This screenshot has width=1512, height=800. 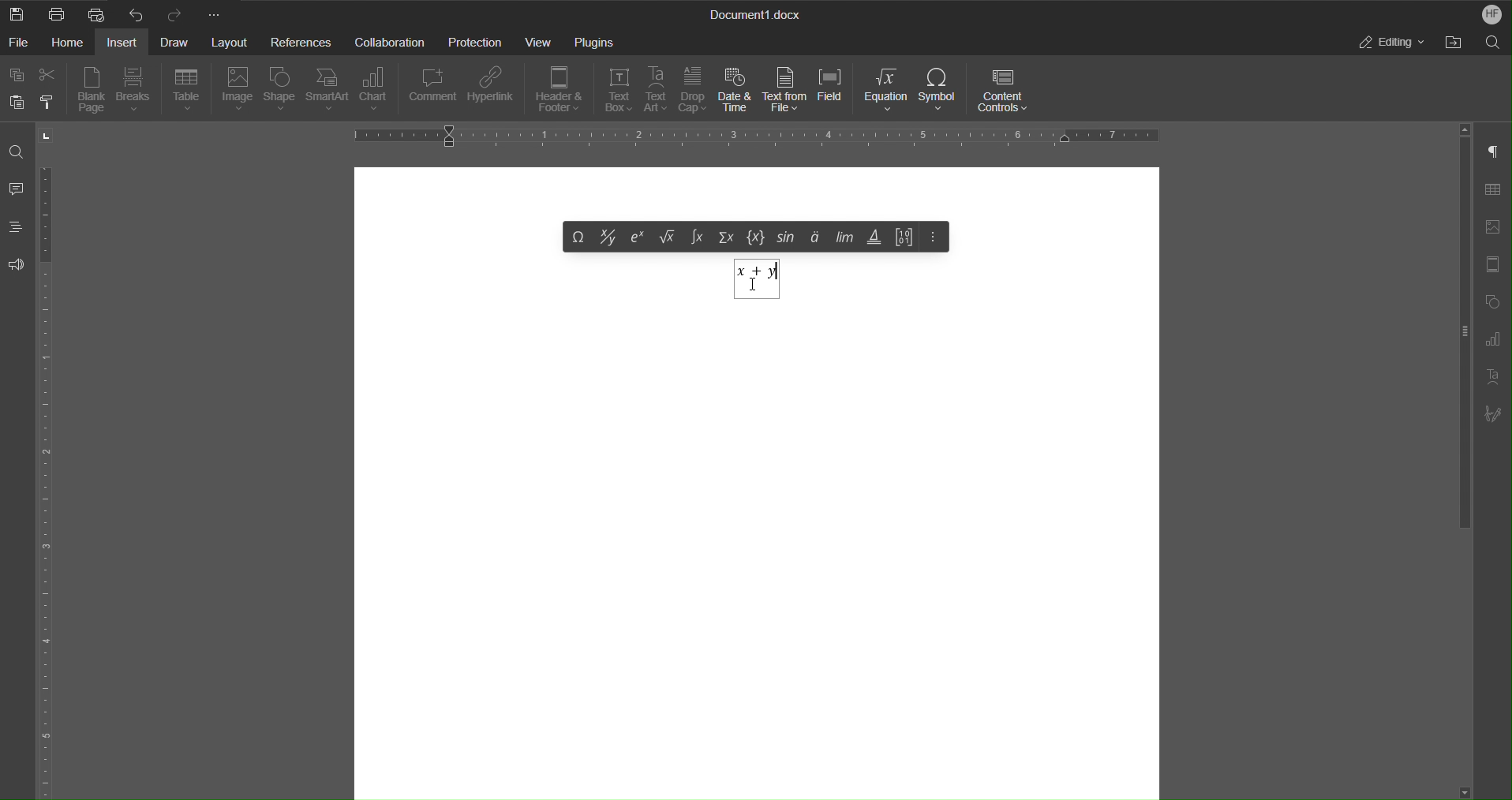 I want to click on Hyperlink, so click(x=495, y=91).